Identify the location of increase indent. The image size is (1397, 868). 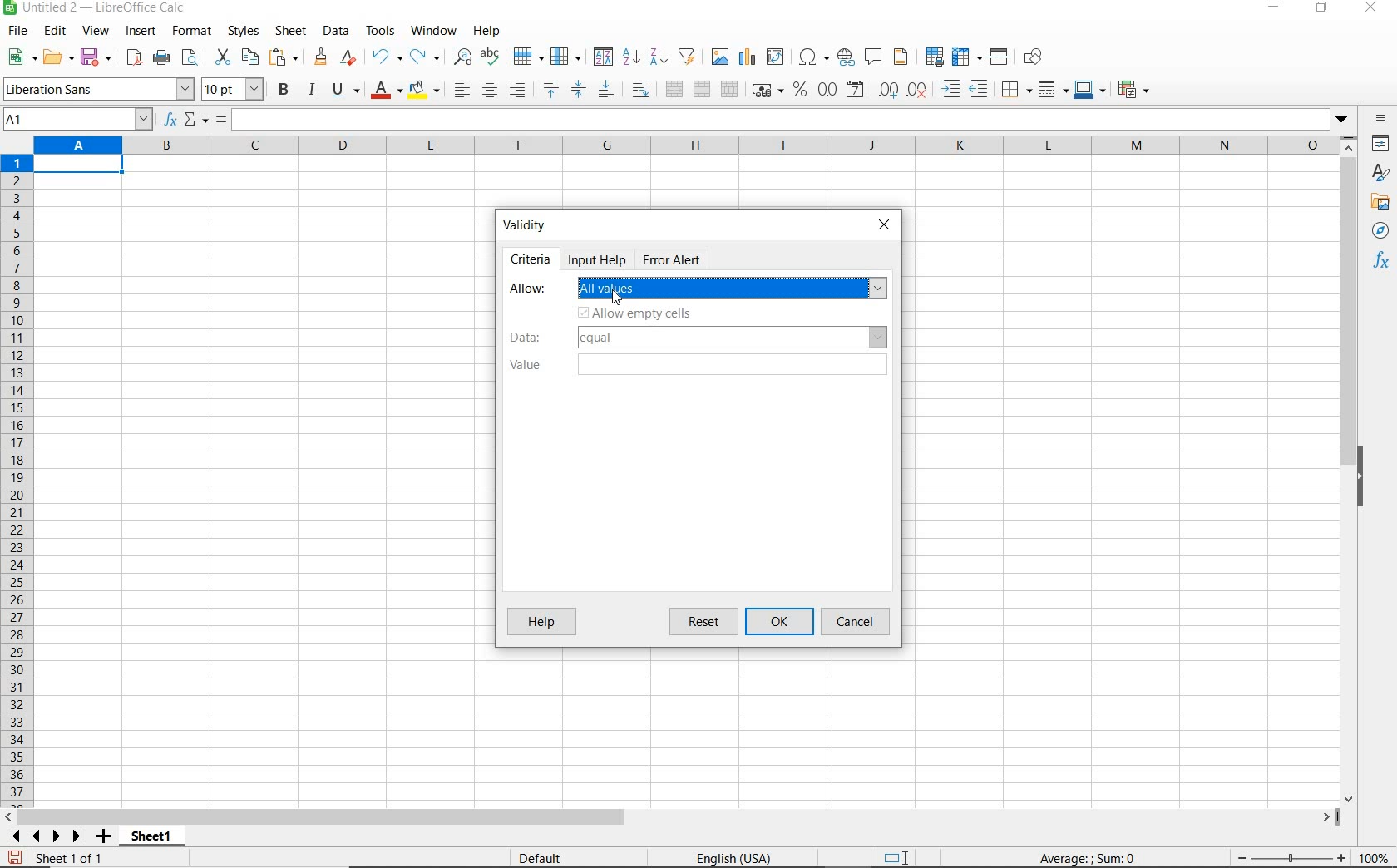
(952, 89).